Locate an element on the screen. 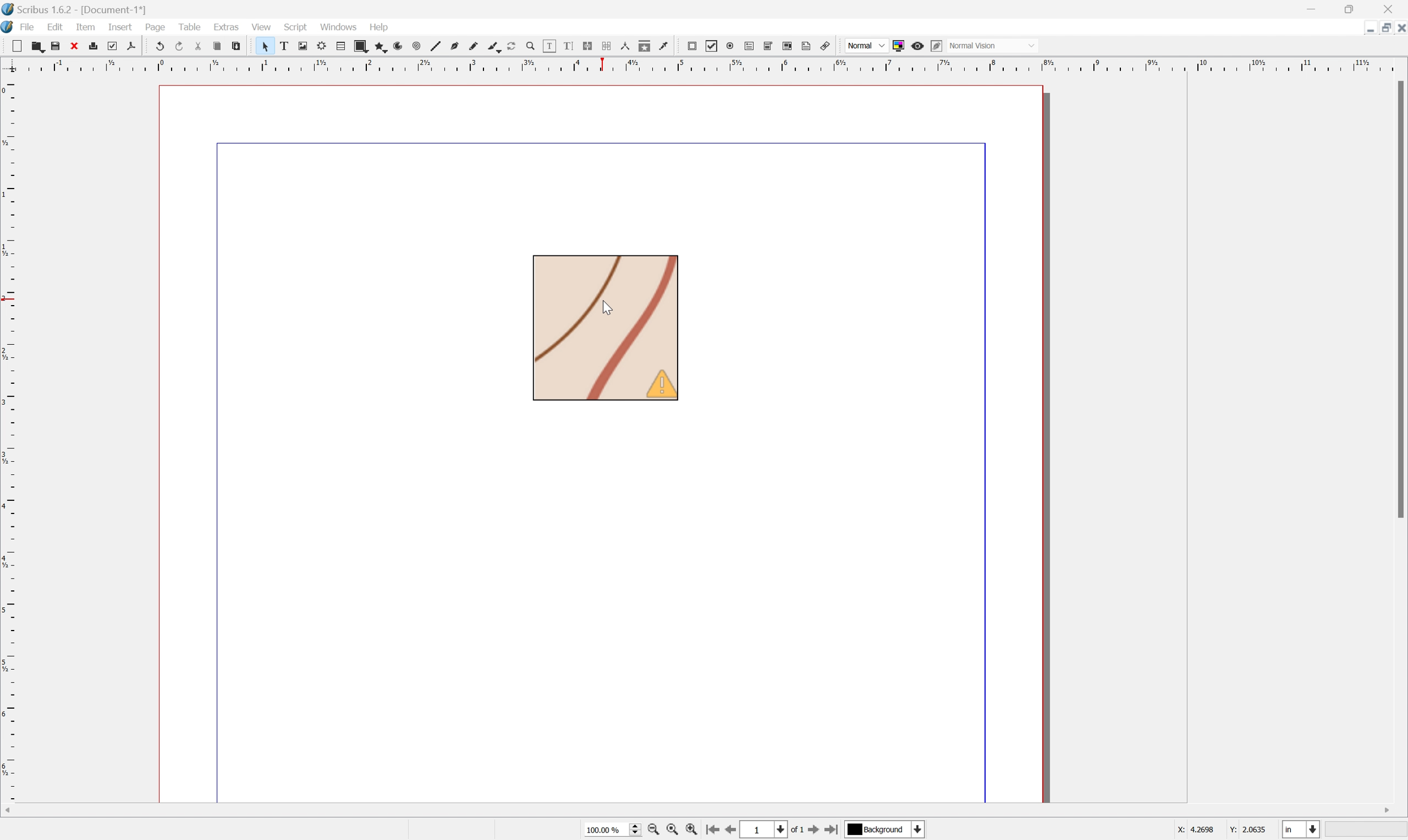 Image resolution: width=1408 pixels, height=840 pixels. PDF push button is located at coordinates (693, 46).